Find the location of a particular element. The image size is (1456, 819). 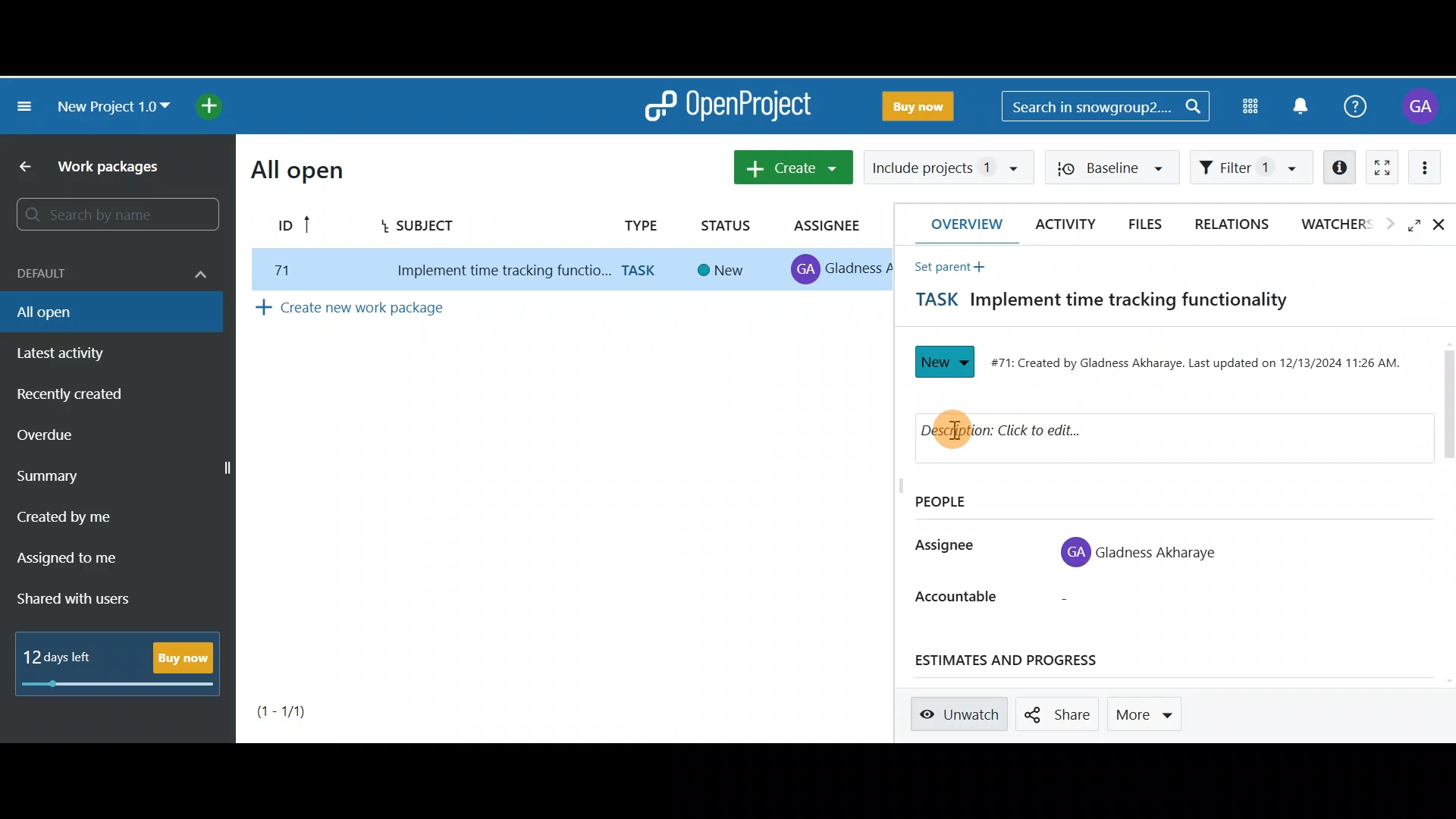

OpenProject is located at coordinates (726, 106).